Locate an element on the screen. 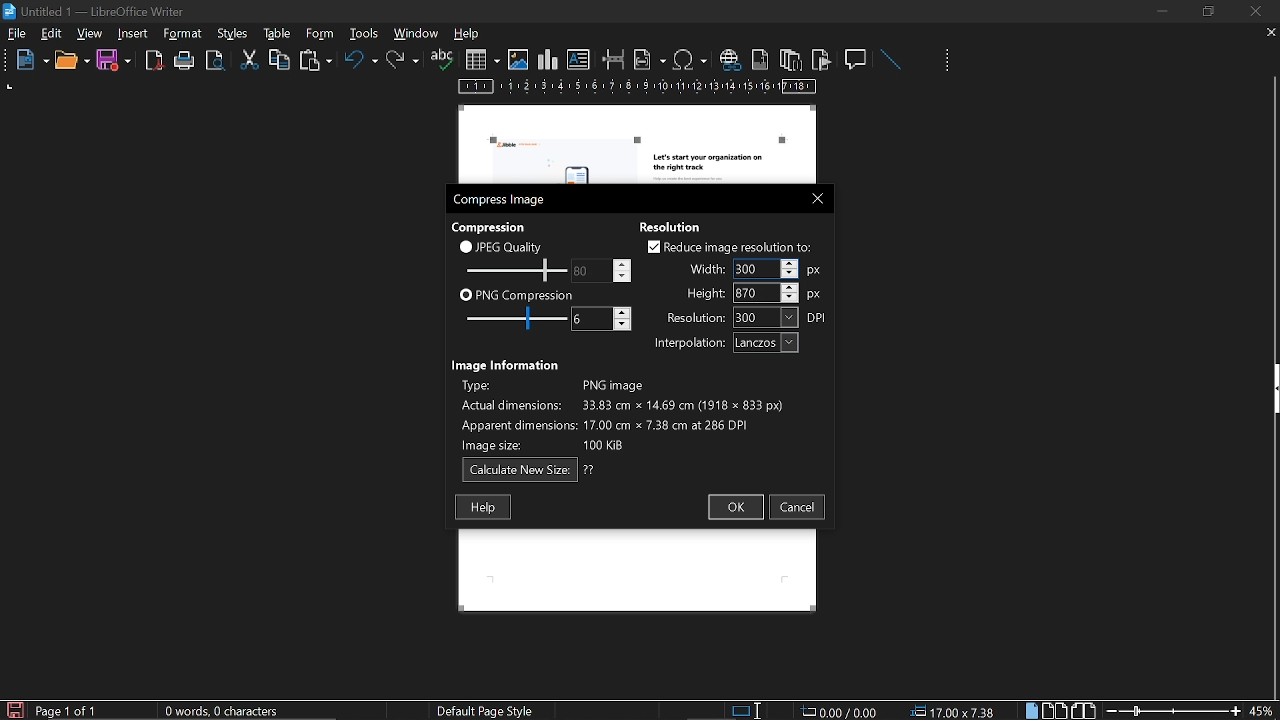 Image resolution: width=1280 pixels, height=720 pixels. jpeg quality scale is located at coordinates (513, 269).